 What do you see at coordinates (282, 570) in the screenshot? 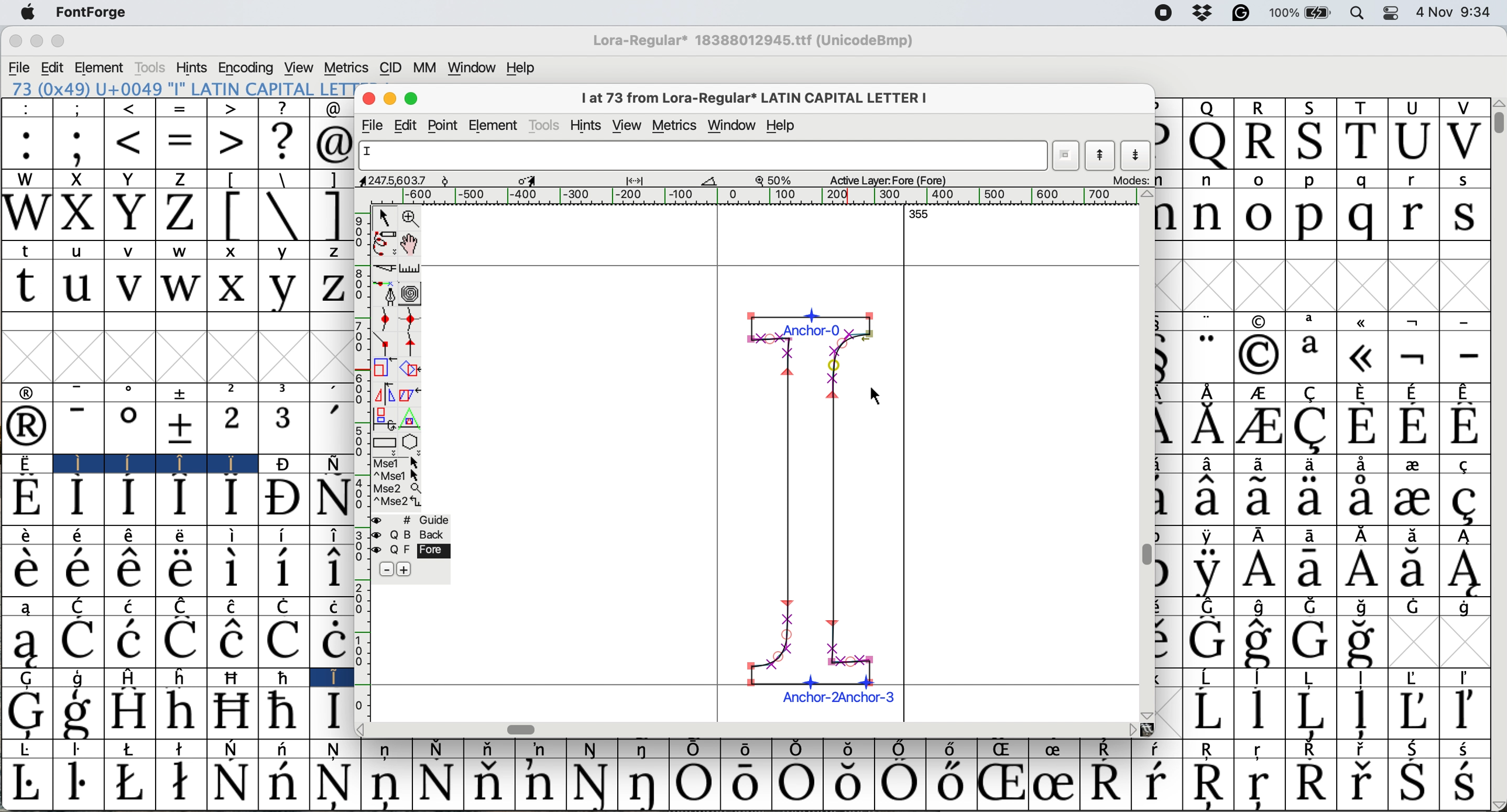
I see `Symbol` at bounding box center [282, 570].